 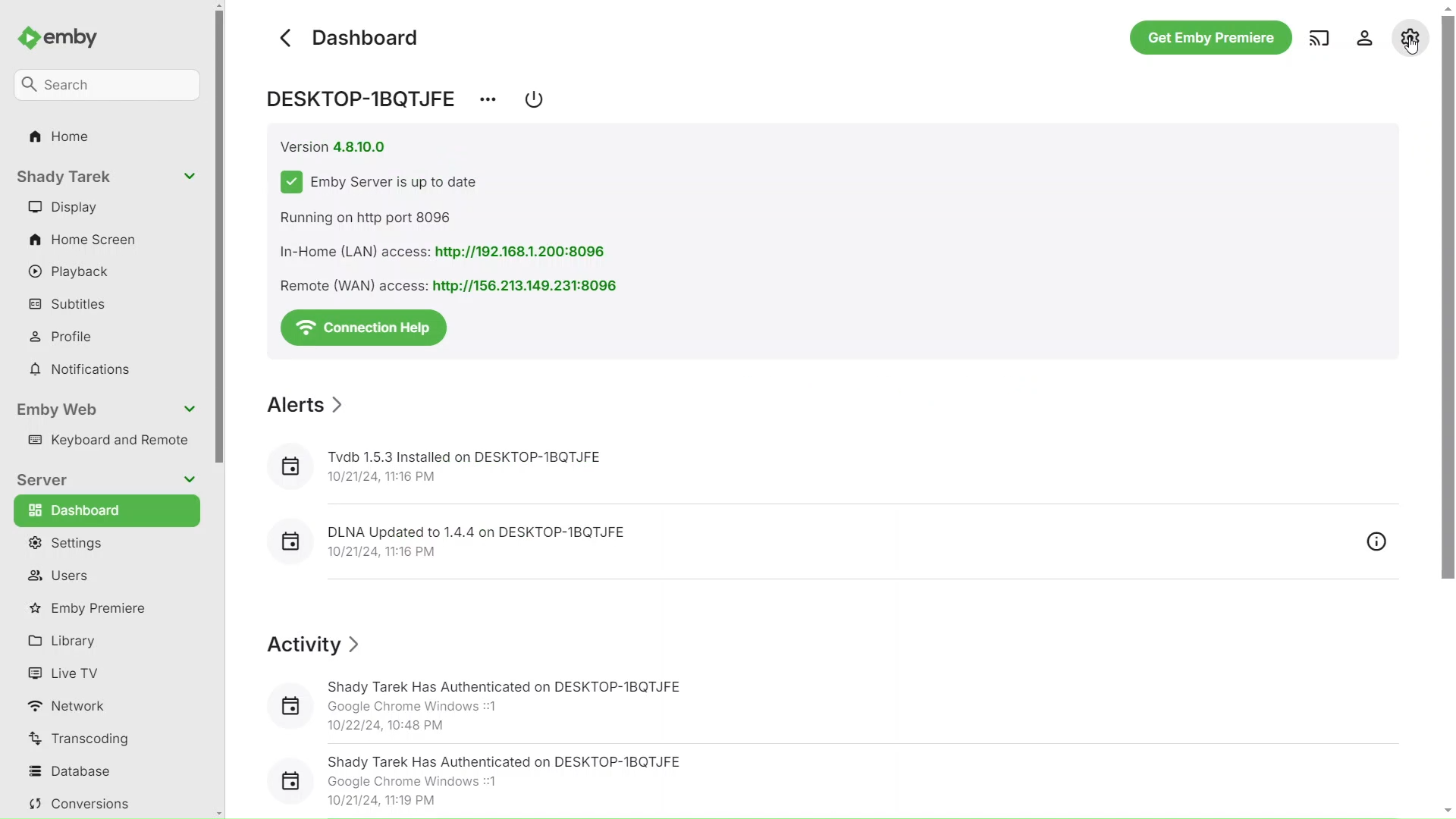 What do you see at coordinates (58, 39) in the screenshot?
I see `emby` at bounding box center [58, 39].